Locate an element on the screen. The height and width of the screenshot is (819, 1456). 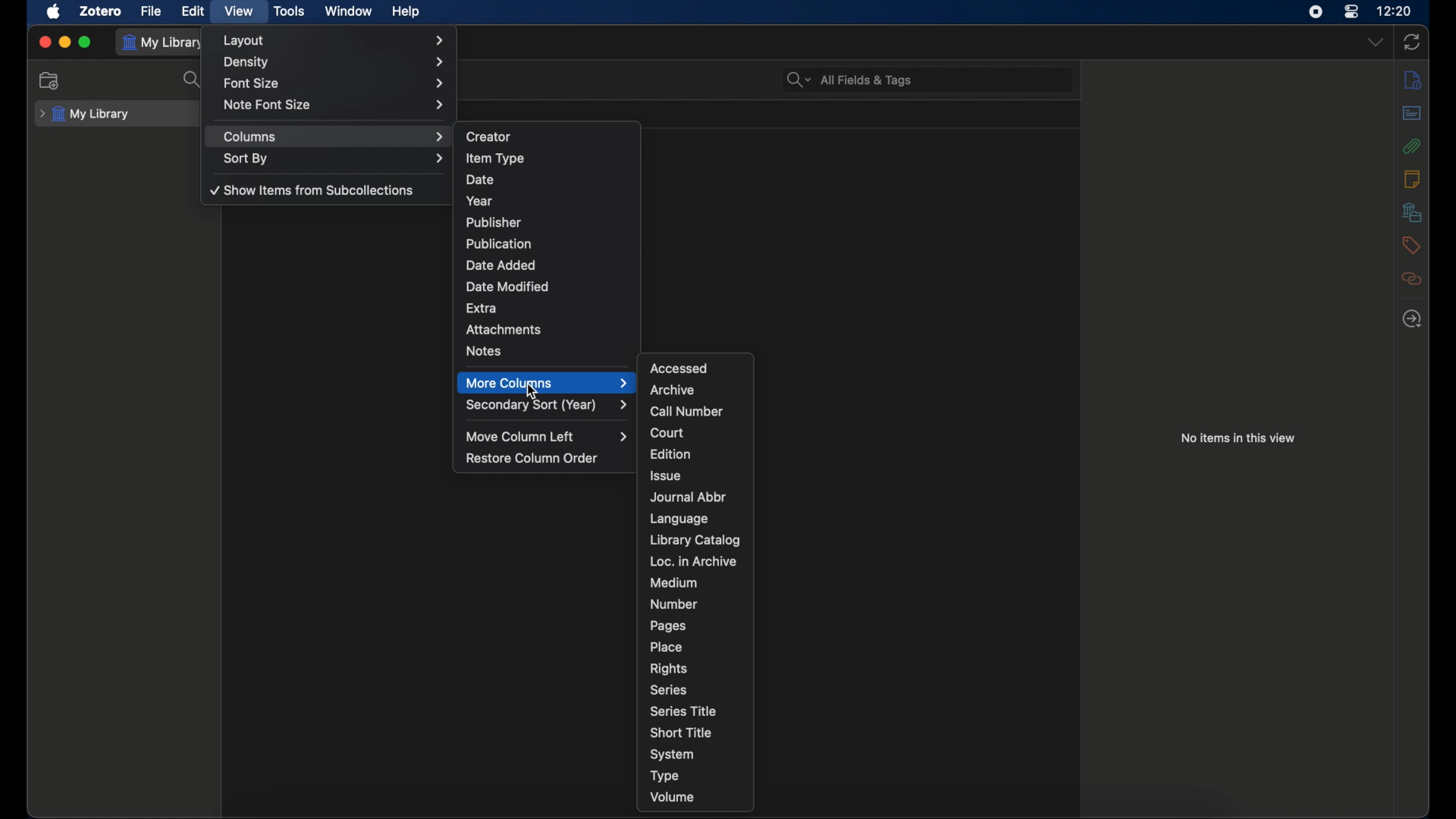
apple is located at coordinates (54, 12).